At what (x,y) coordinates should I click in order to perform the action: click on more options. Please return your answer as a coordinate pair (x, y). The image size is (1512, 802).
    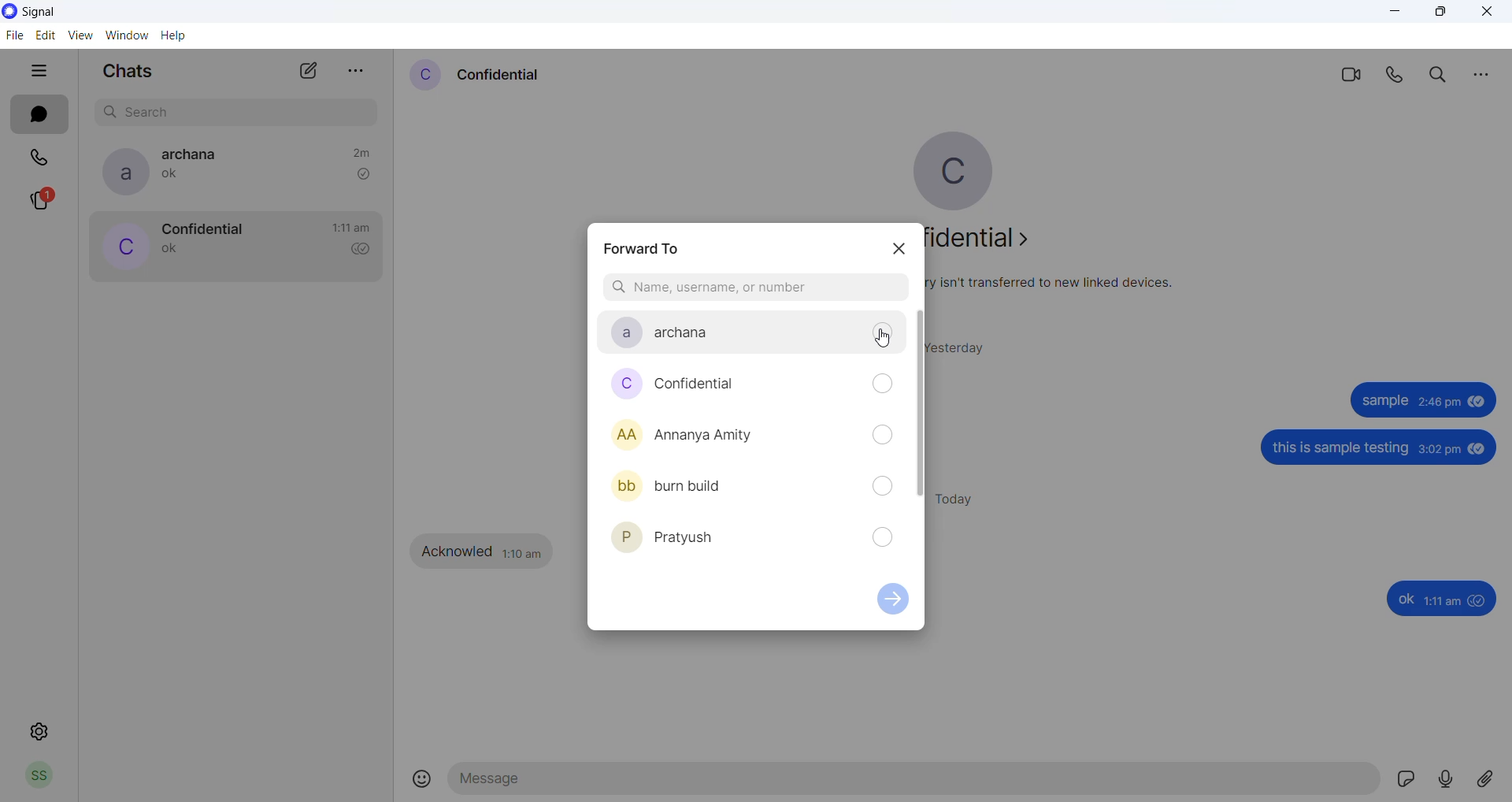
    Looking at the image, I should click on (357, 66).